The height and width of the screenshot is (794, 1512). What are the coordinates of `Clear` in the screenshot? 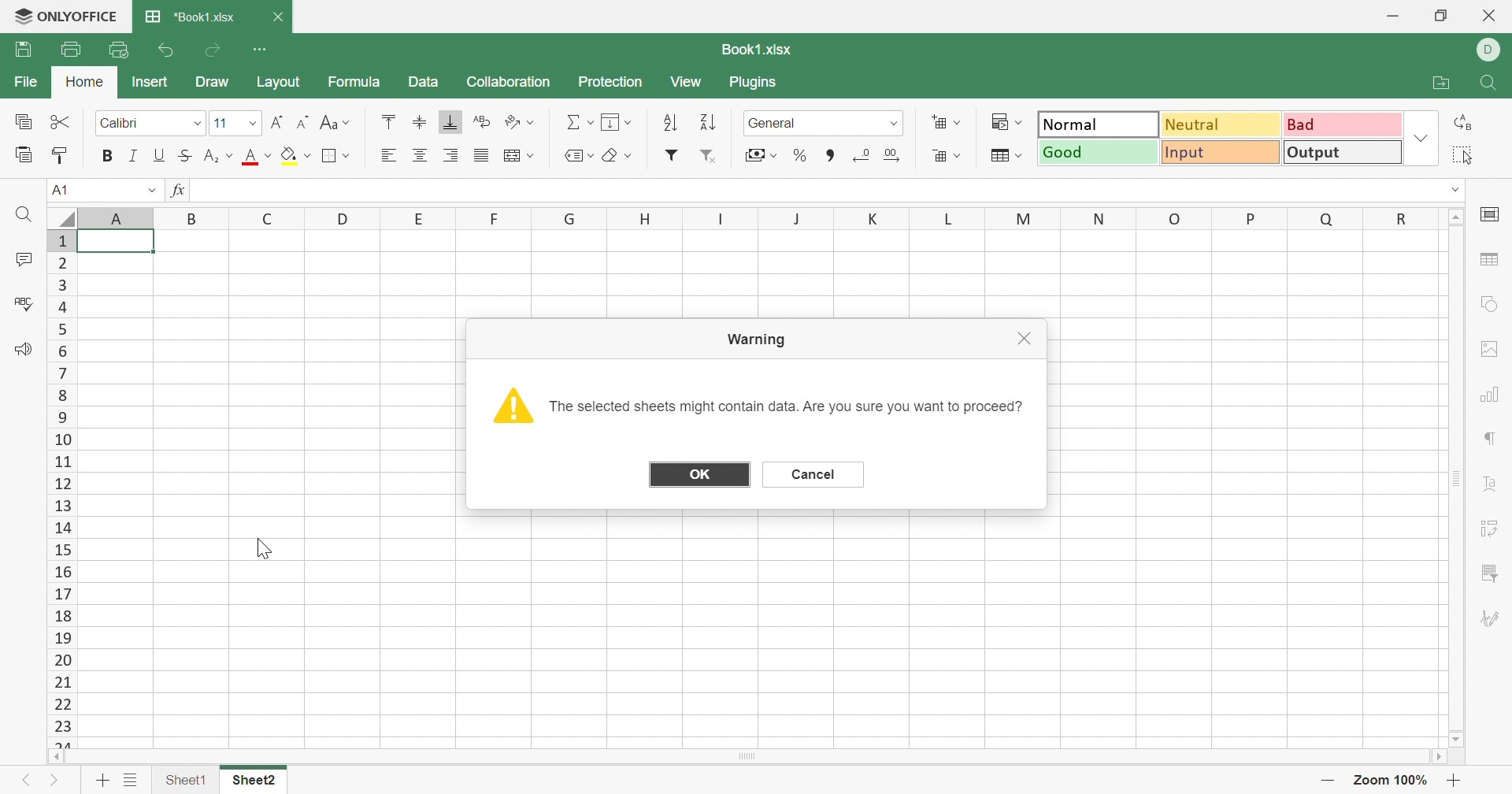 It's located at (612, 157).